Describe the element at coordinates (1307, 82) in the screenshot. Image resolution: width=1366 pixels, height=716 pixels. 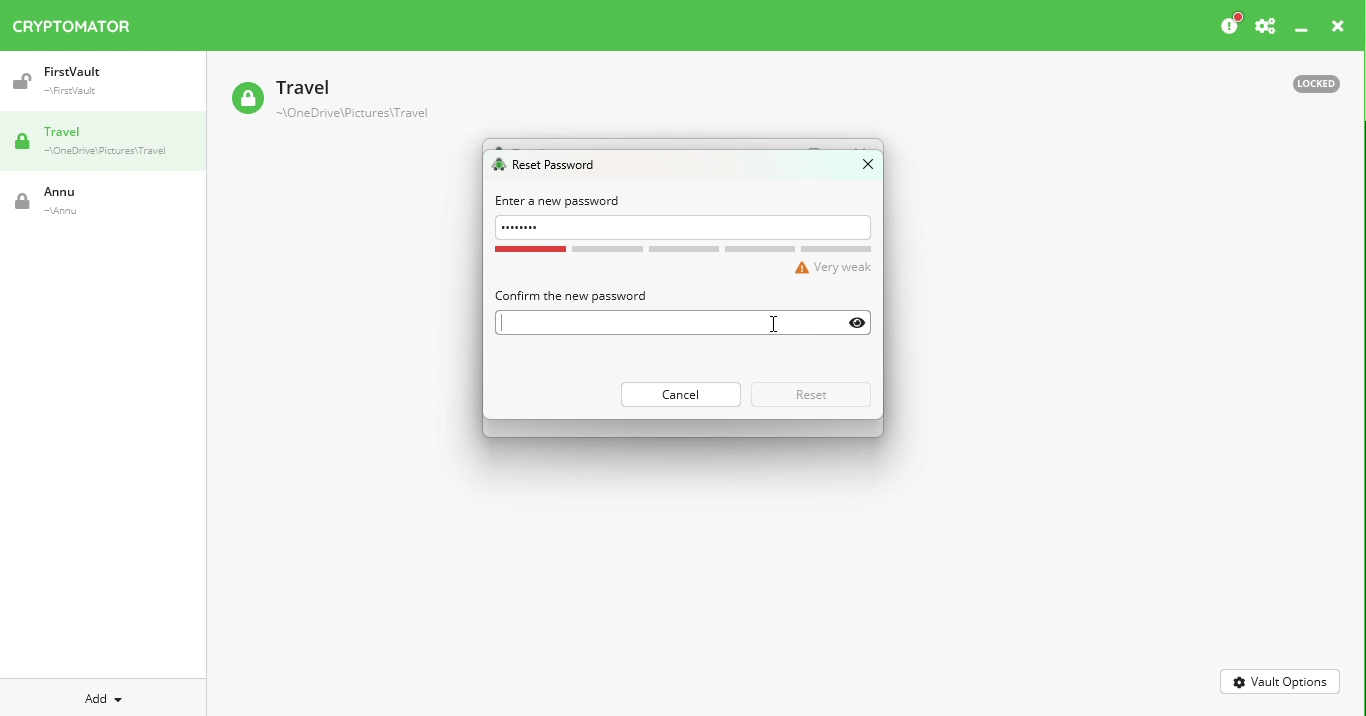
I see `Locked` at that location.